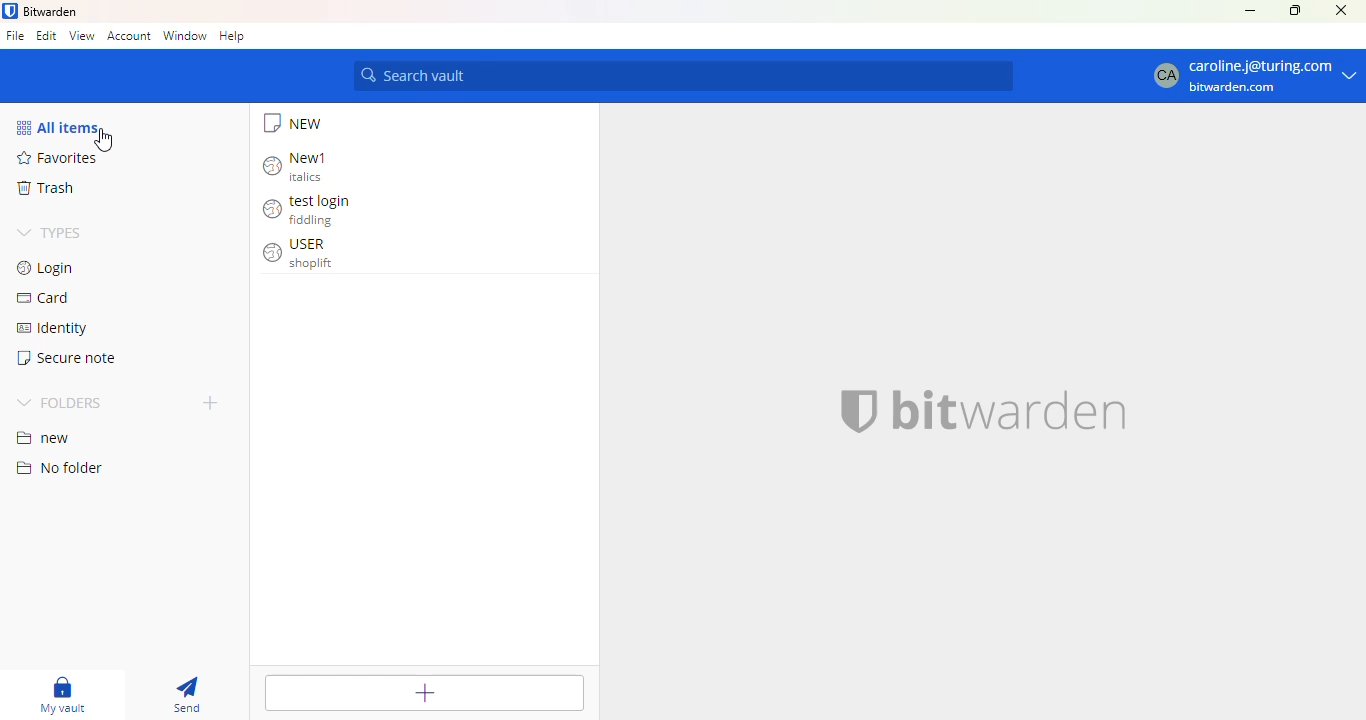  I want to click on test login fiddling, so click(306, 211).